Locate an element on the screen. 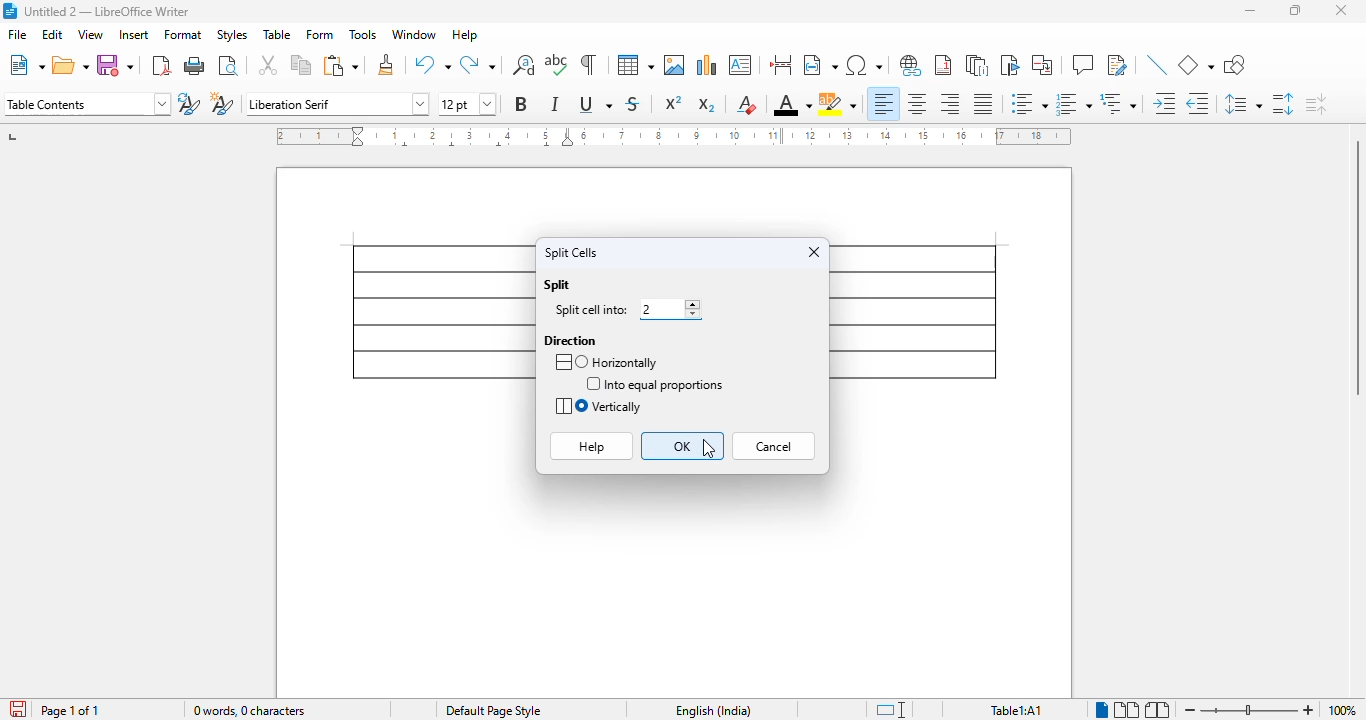  align center is located at coordinates (915, 104).